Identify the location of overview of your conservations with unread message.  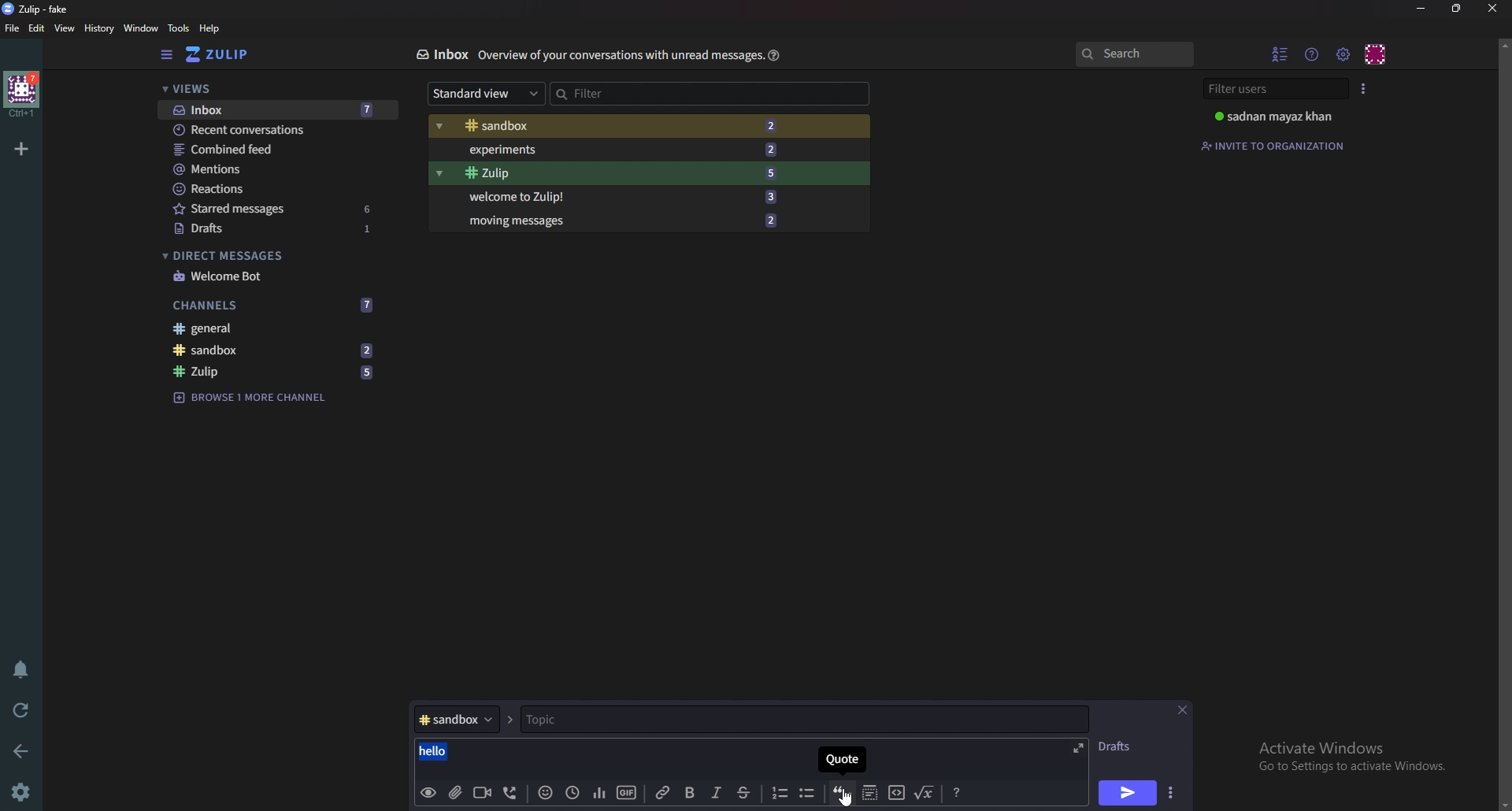
(618, 56).